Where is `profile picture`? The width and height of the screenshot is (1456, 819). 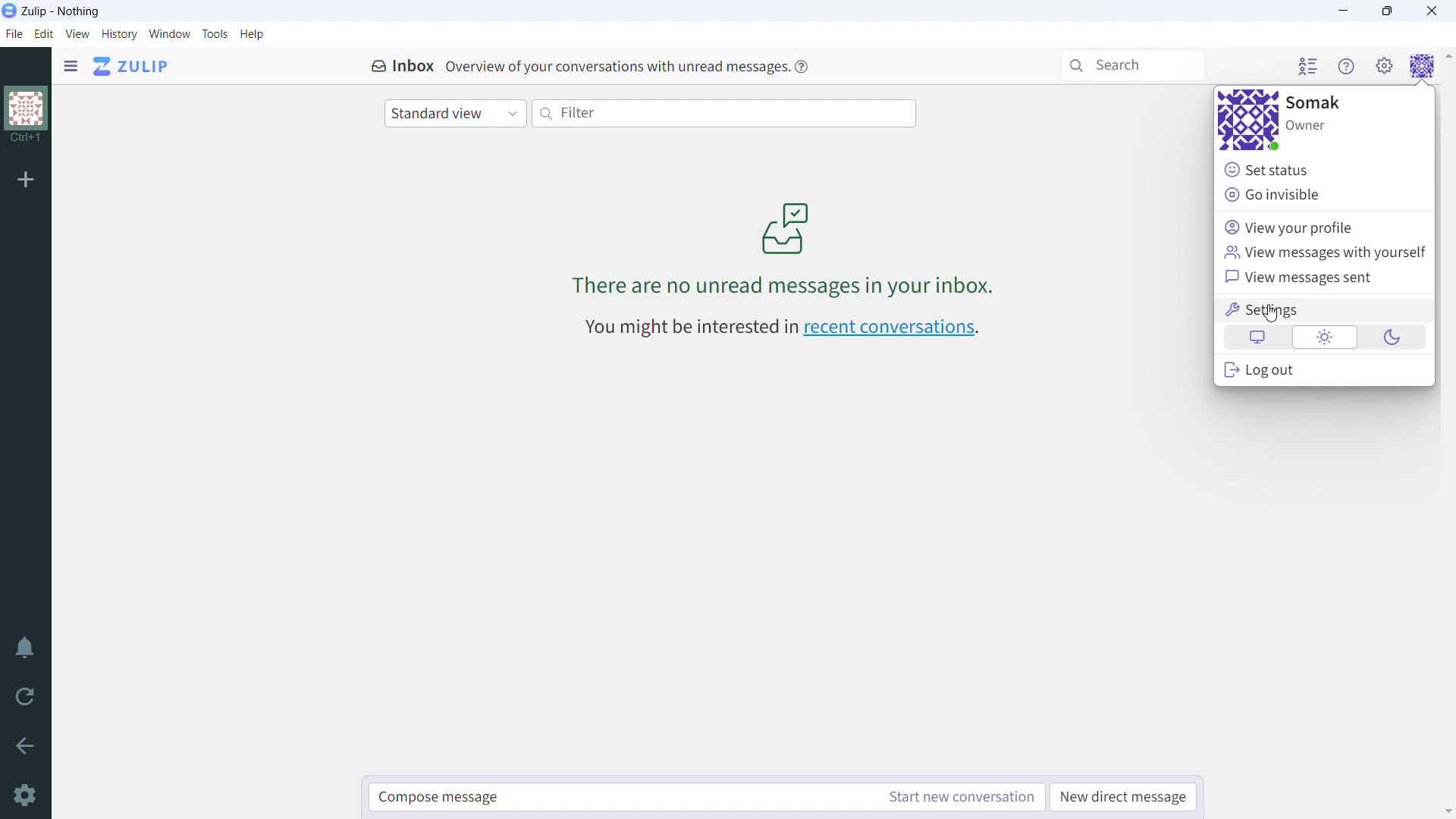 profile picture is located at coordinates (1248, 120).